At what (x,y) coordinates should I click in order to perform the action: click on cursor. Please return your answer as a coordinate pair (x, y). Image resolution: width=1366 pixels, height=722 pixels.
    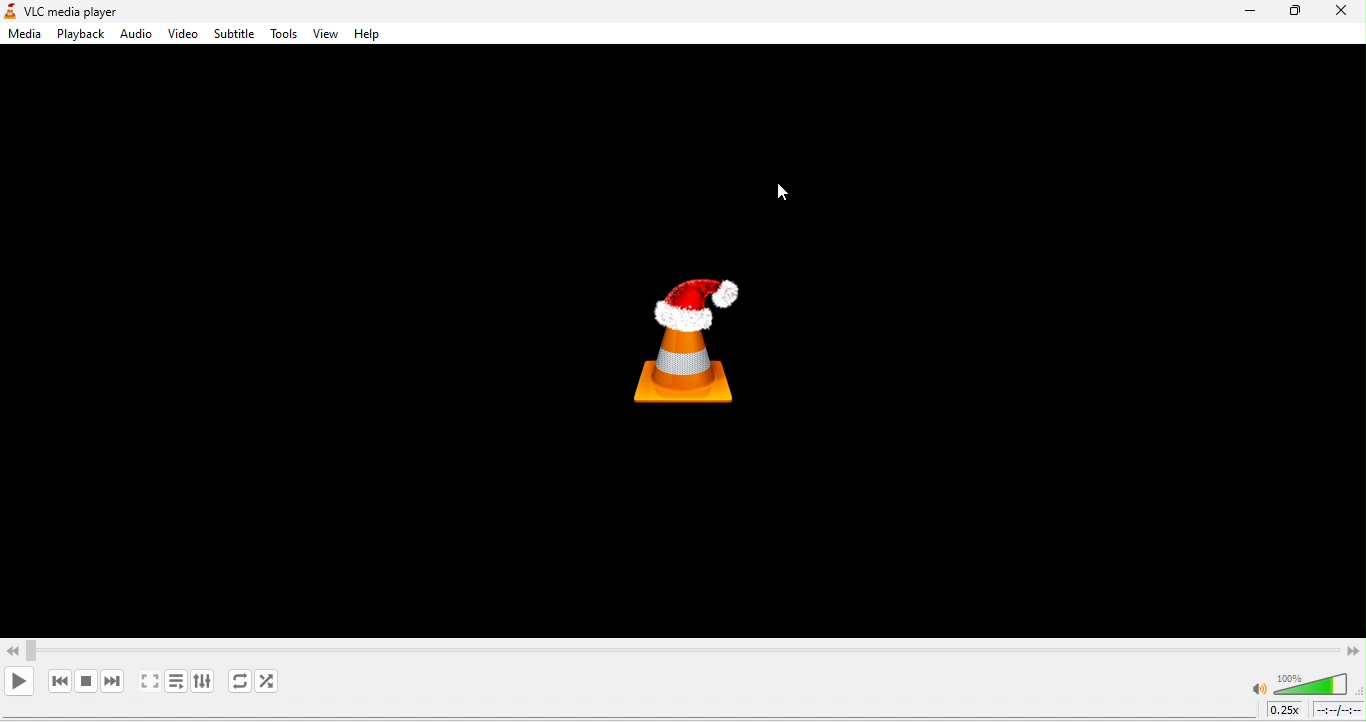
    Looking at the image, I should click on (774, 194).